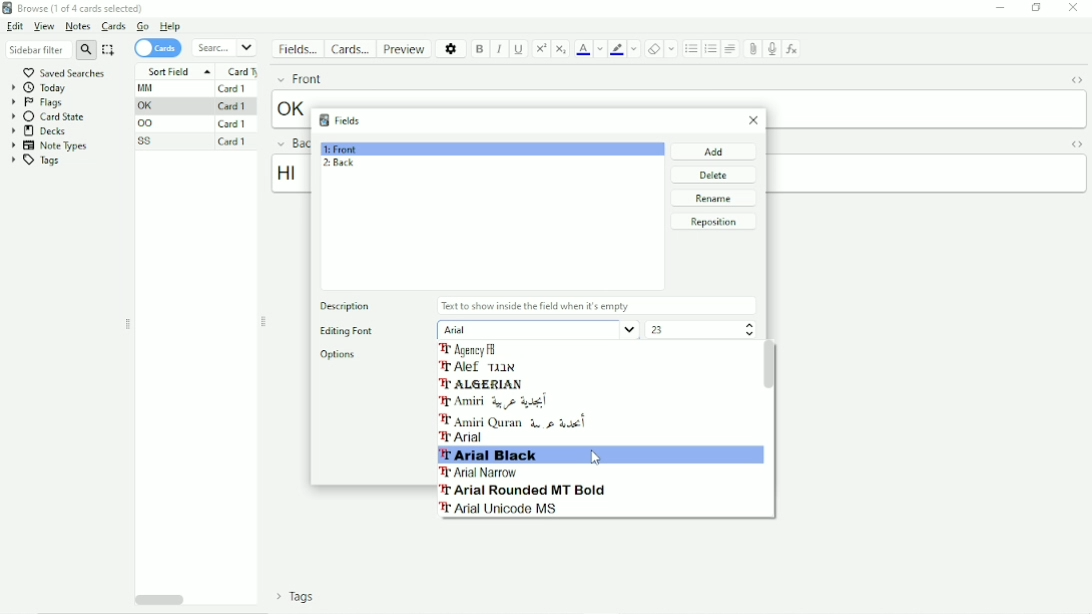 The width and height of the screenshot is (1092, 614). Describe the element at coordinates (50, 116) in the screenshot. I see `Card state` at that location.